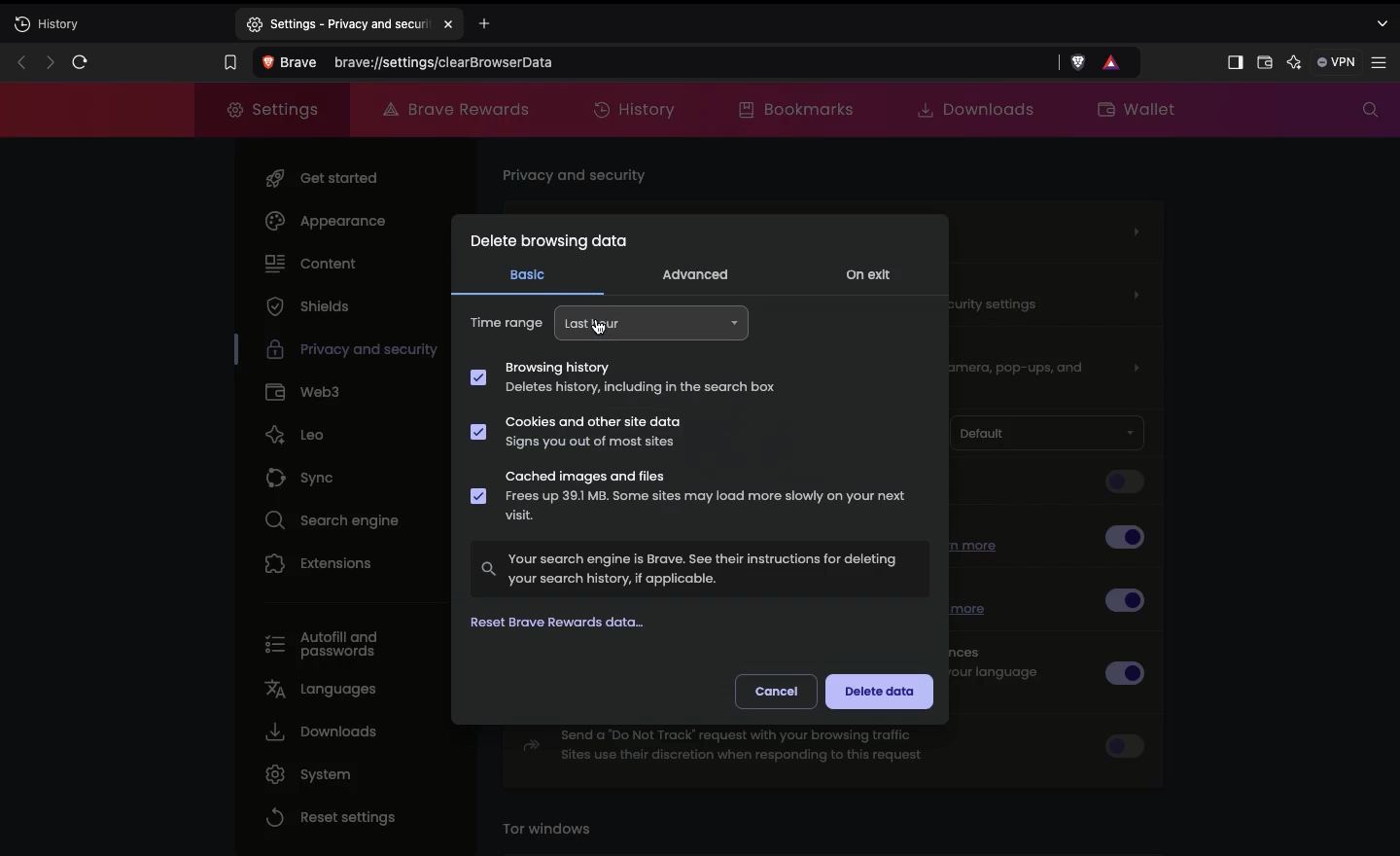  Describe the element at coordinates (586, 434) in the screenshot. I see `Cookies and other site data
Signs you out of most sites` at that location.